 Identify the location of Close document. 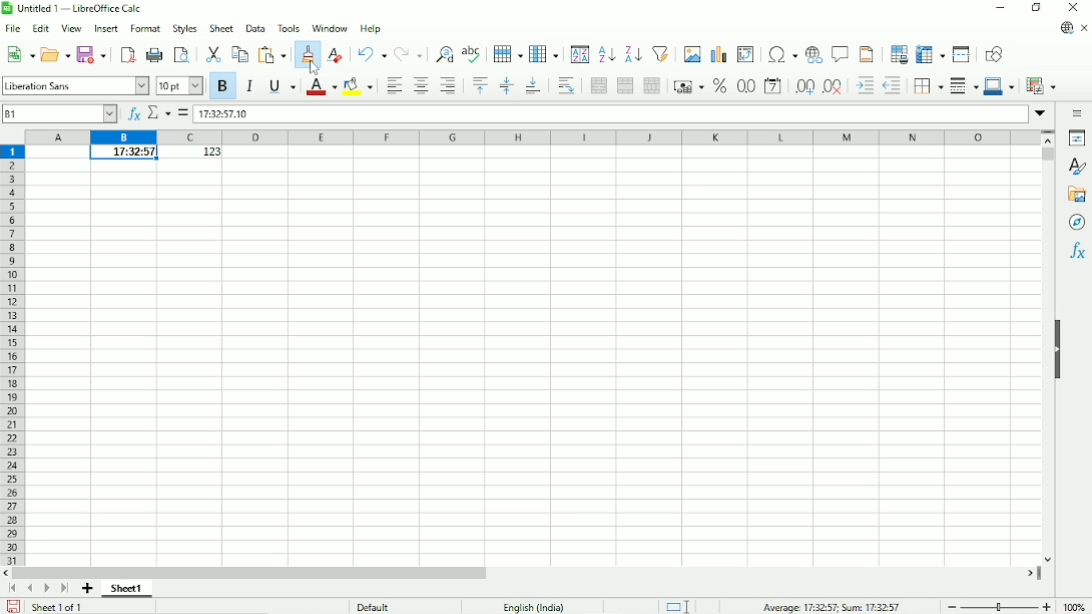
(1084, 28).